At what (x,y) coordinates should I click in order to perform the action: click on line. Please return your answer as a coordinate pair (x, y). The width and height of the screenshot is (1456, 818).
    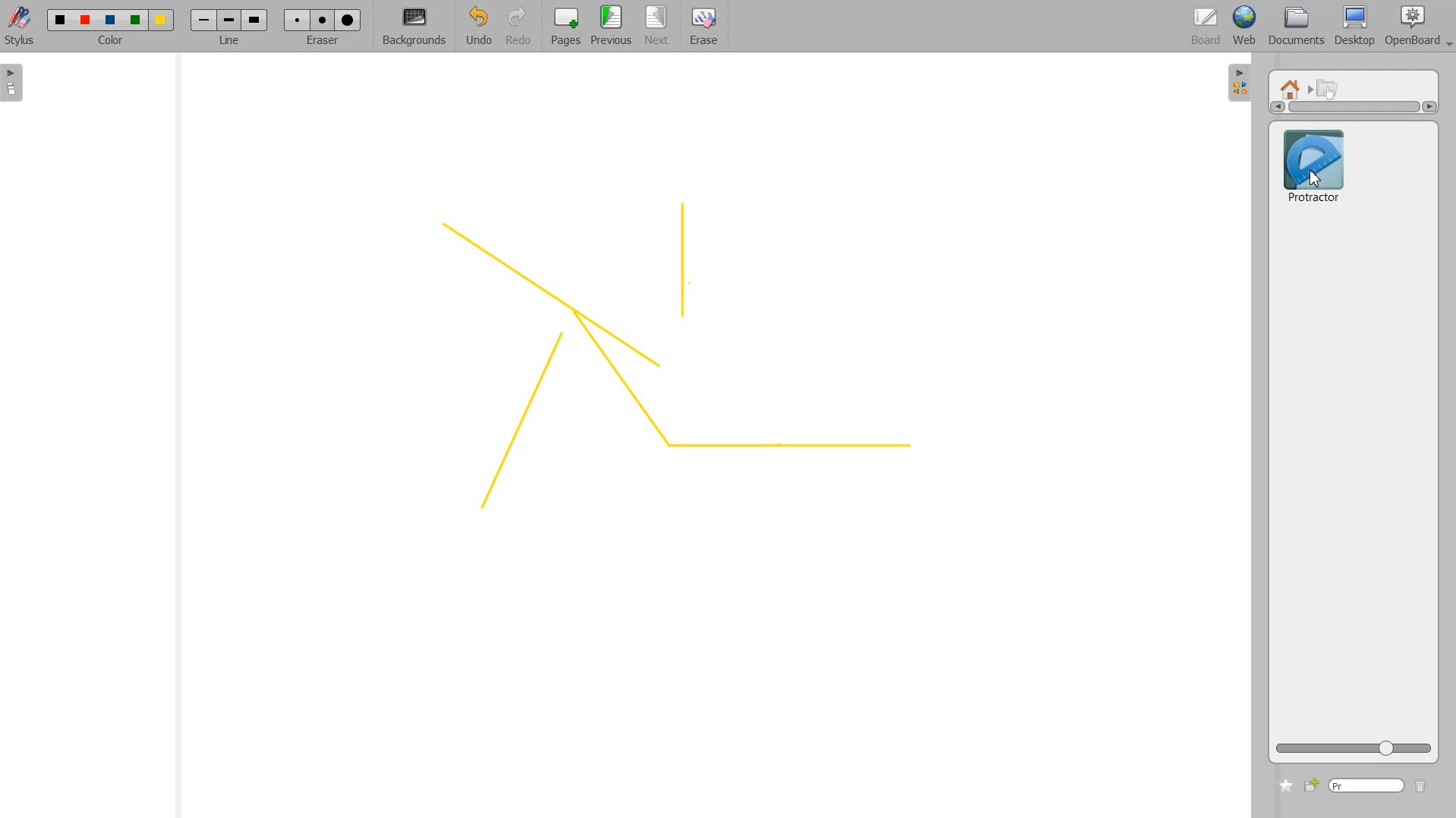
    Looking at the image, I should click on (232, 42).